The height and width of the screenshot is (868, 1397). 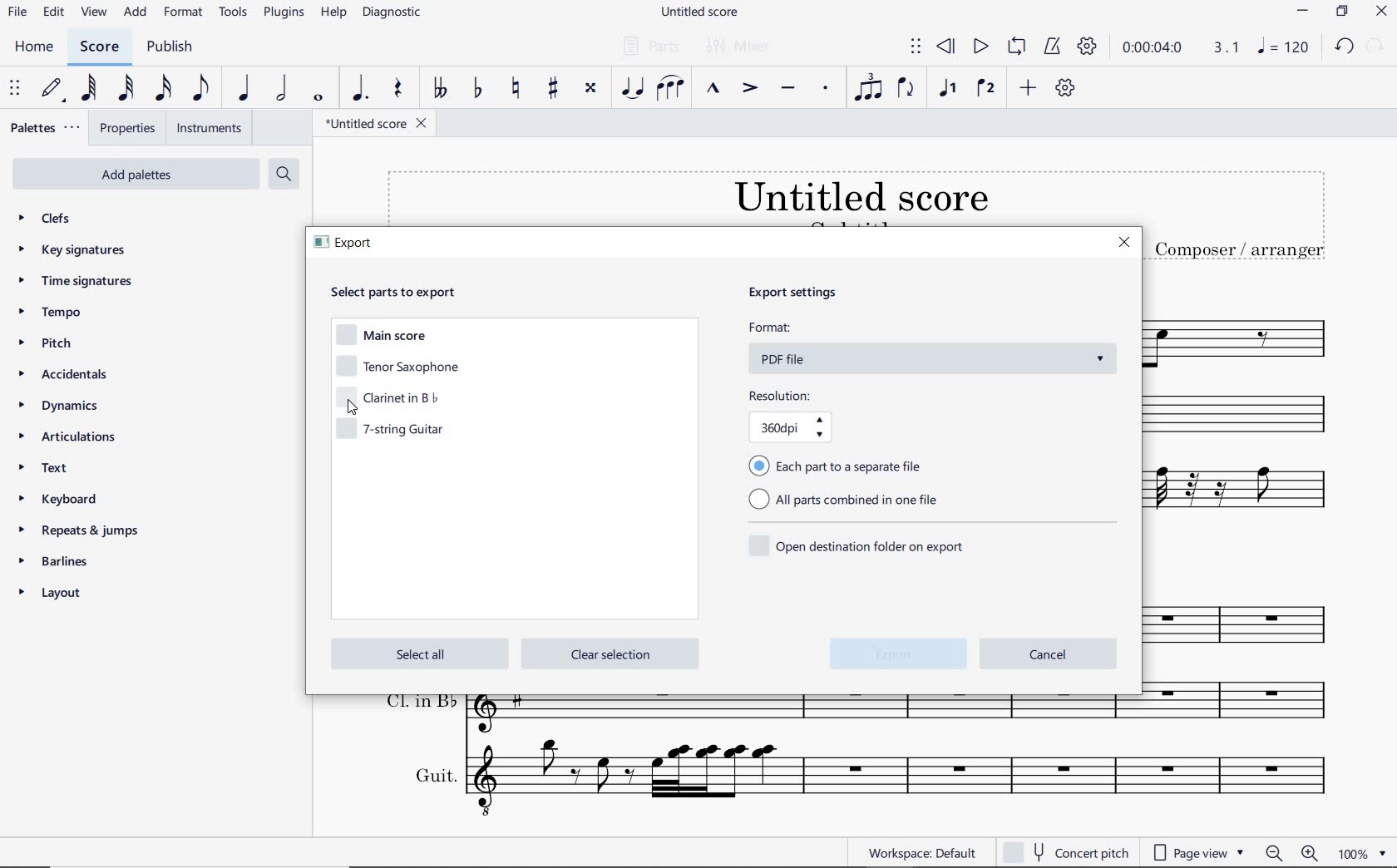 I want to click on WHOLE NOTE, so click(x=318, y=98).